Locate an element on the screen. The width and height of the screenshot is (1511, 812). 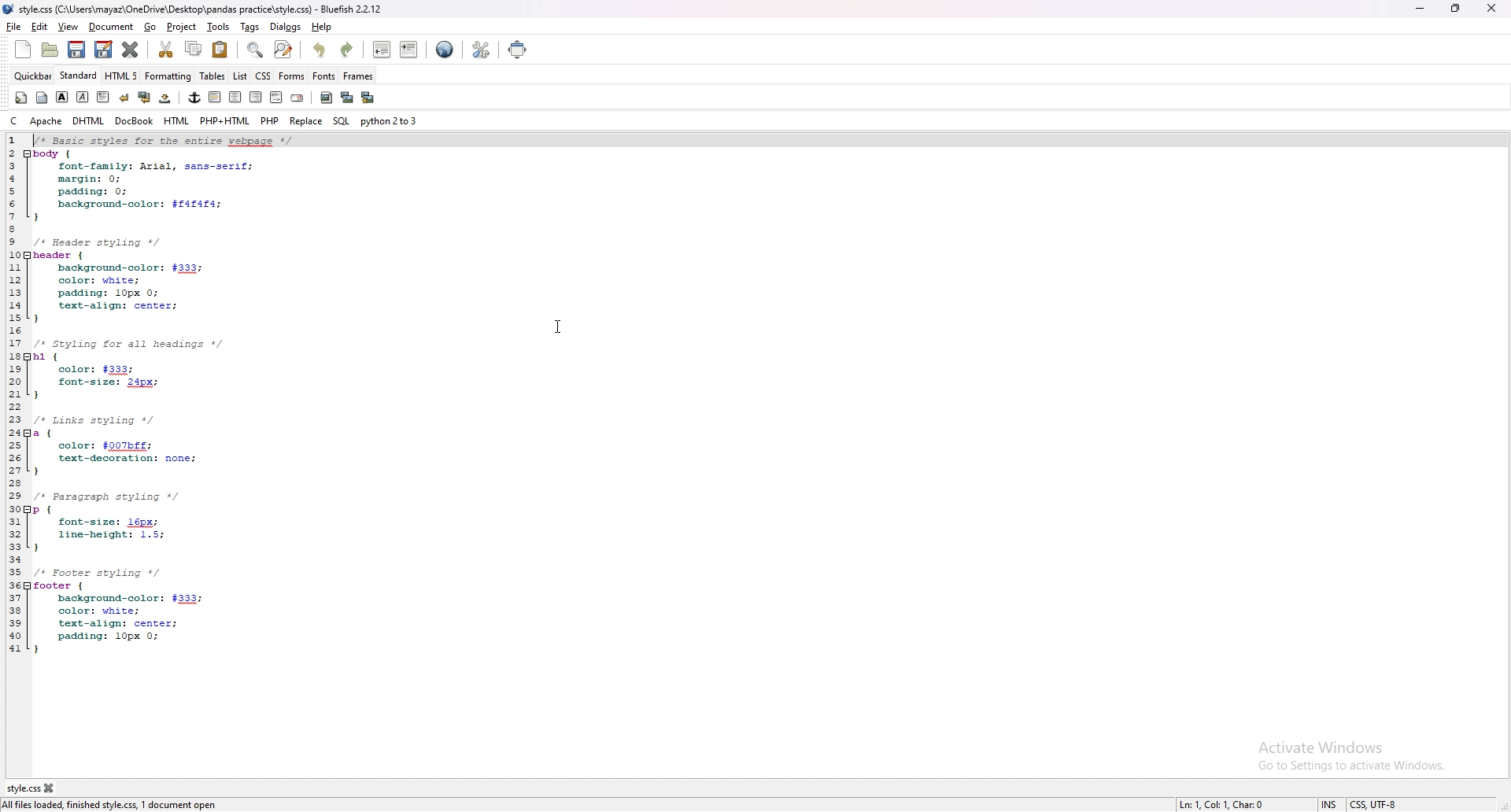
style.css  is located at coordinates (27, 790).